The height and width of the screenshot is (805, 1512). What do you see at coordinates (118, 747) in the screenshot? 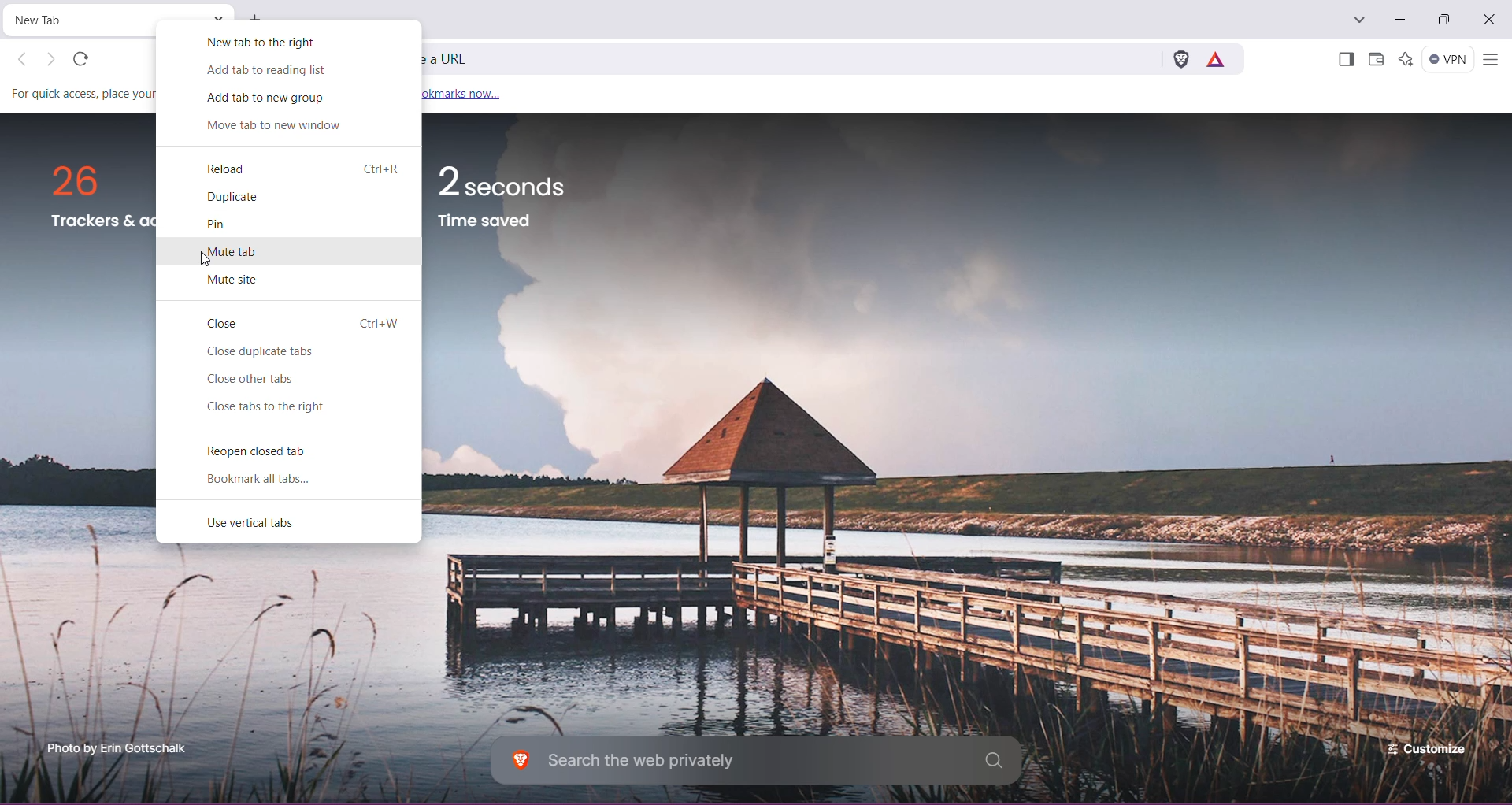
I see `Click to enterbrave.com photo scholarship programme` at bounding box center [118, 747].